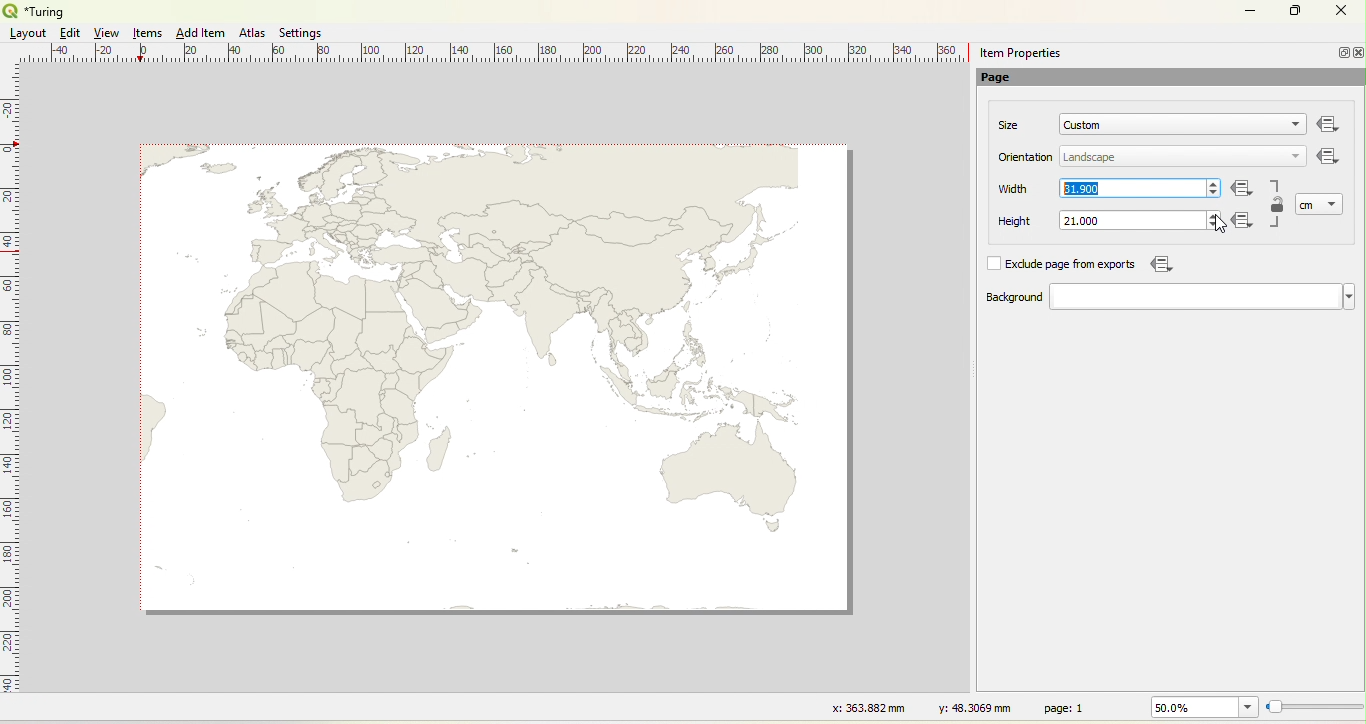 Image resolution: width=1366 pixels, height=724 pixels. I want to click on x: 363.882 mm, so click(866, 707).